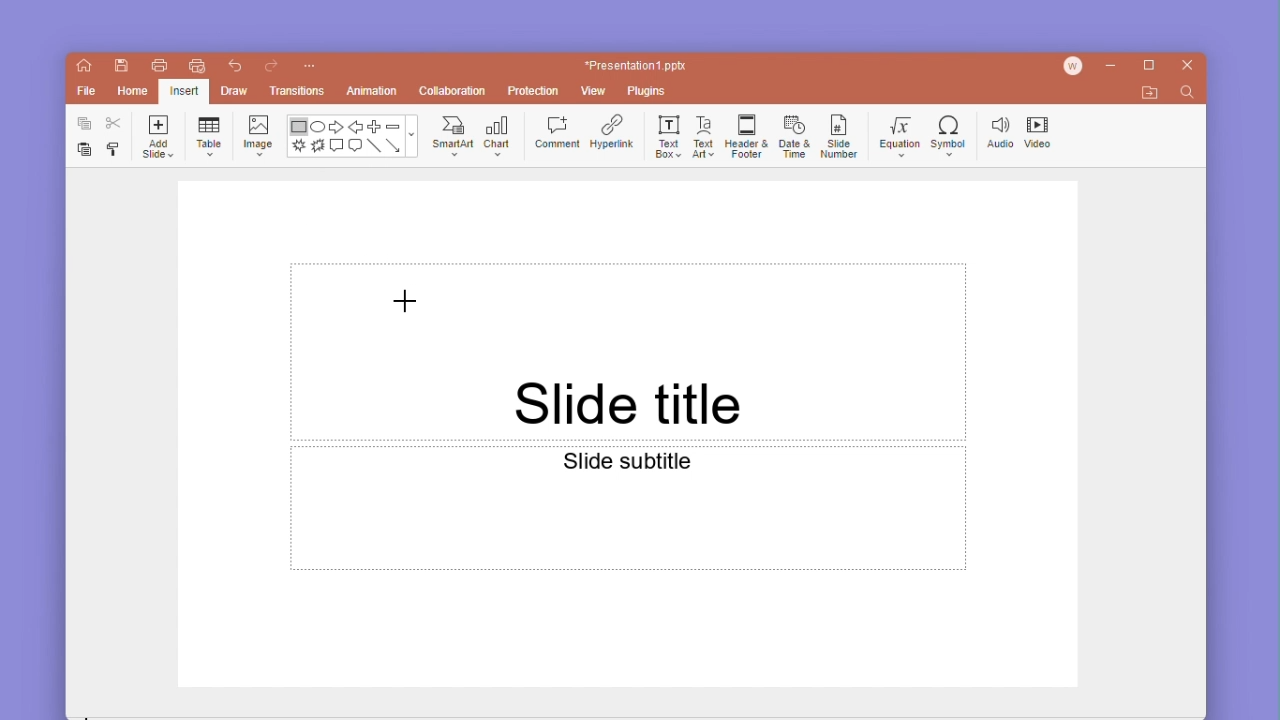 This screenshot has width=1280, height=720. Describe the element at coordinates (454, 135) in the screenshot. I see `smartart` at that location.